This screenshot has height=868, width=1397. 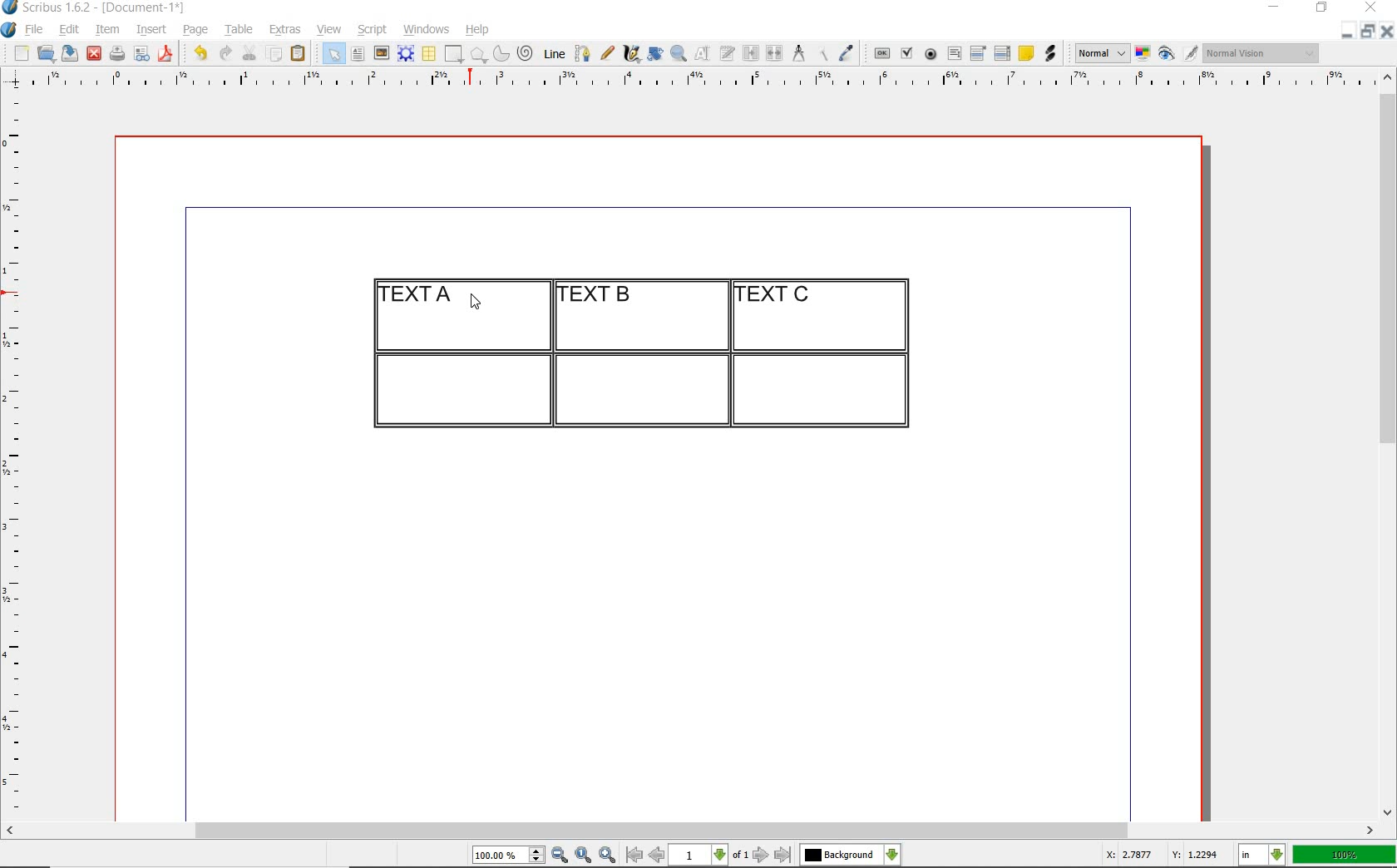 What do you see at coordinates (1262, 53) in the screenshot?
I see `visual appearance of the display` at bounding box center [1262, 53].